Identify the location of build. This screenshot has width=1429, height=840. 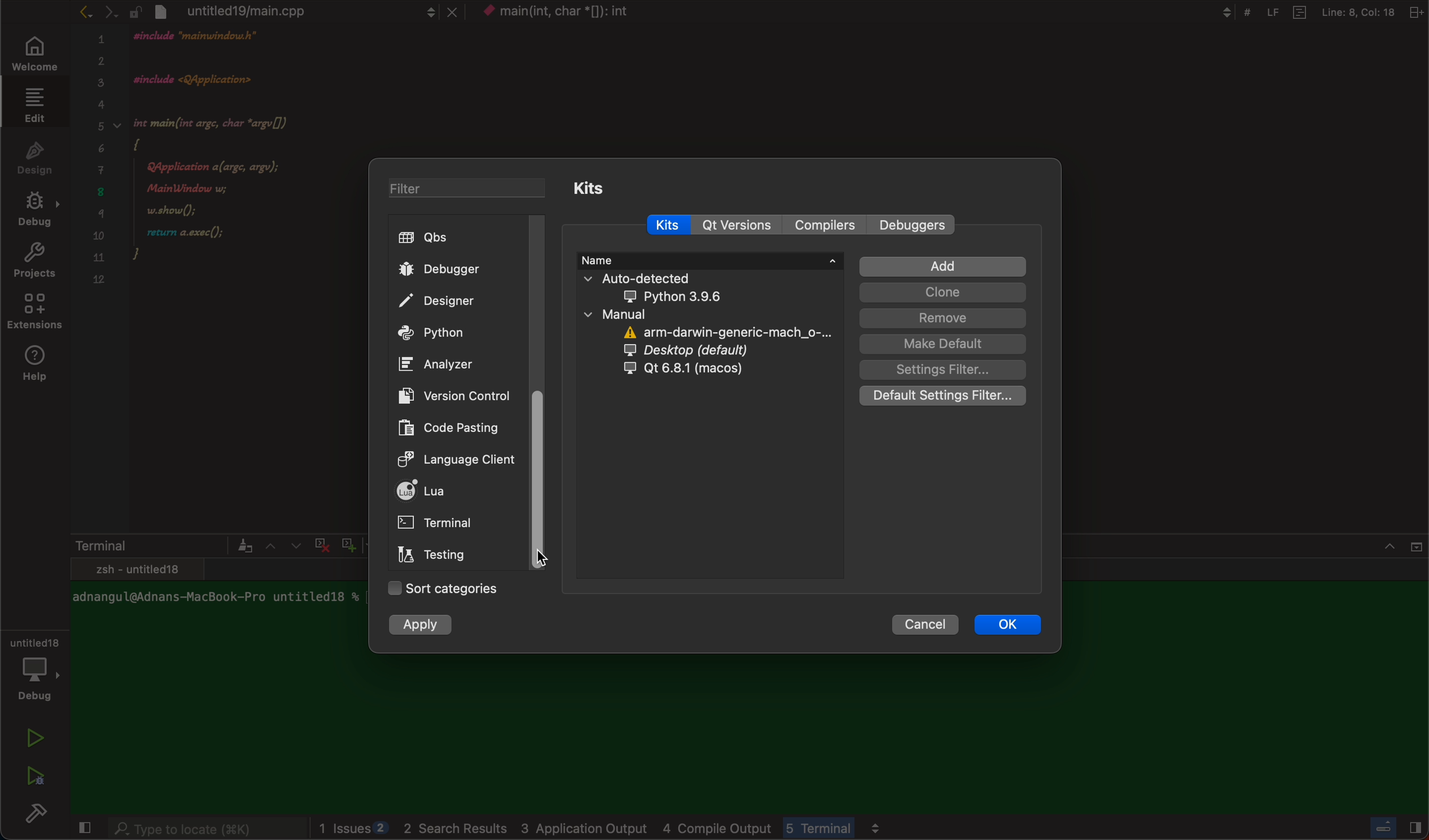
(40, 816).